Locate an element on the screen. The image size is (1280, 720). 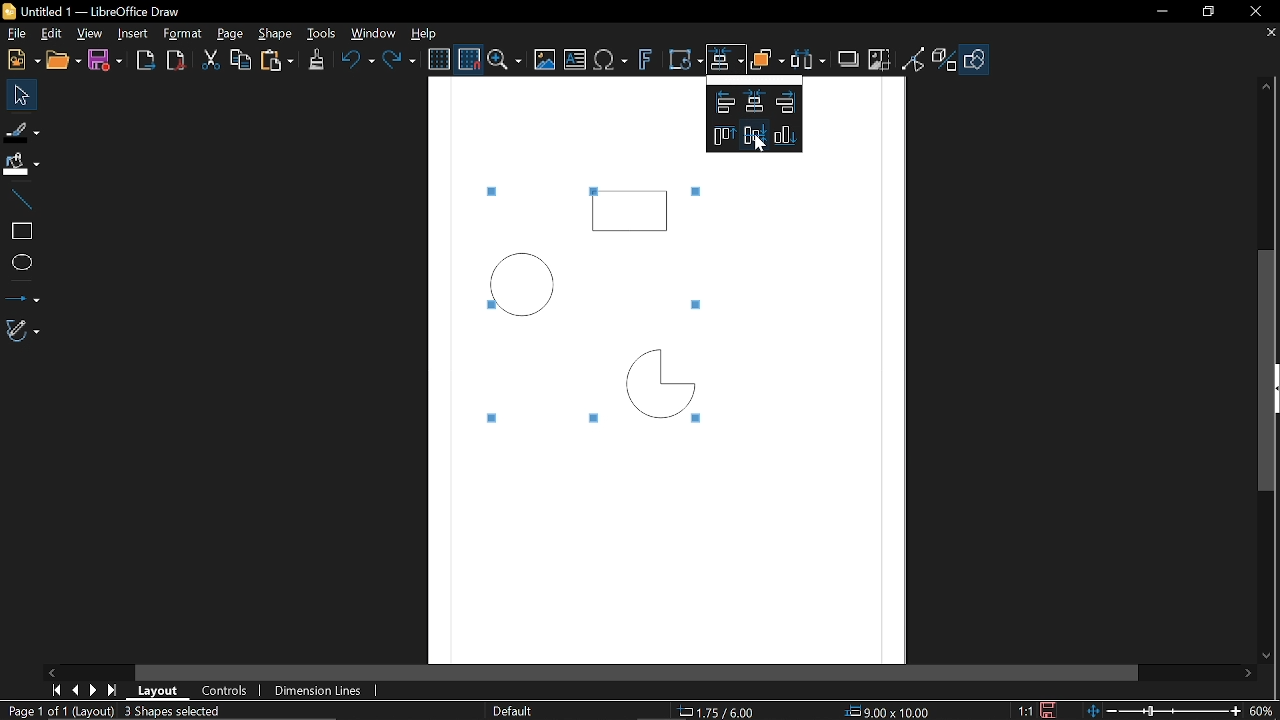
cut is located at coordinates (210, 59).